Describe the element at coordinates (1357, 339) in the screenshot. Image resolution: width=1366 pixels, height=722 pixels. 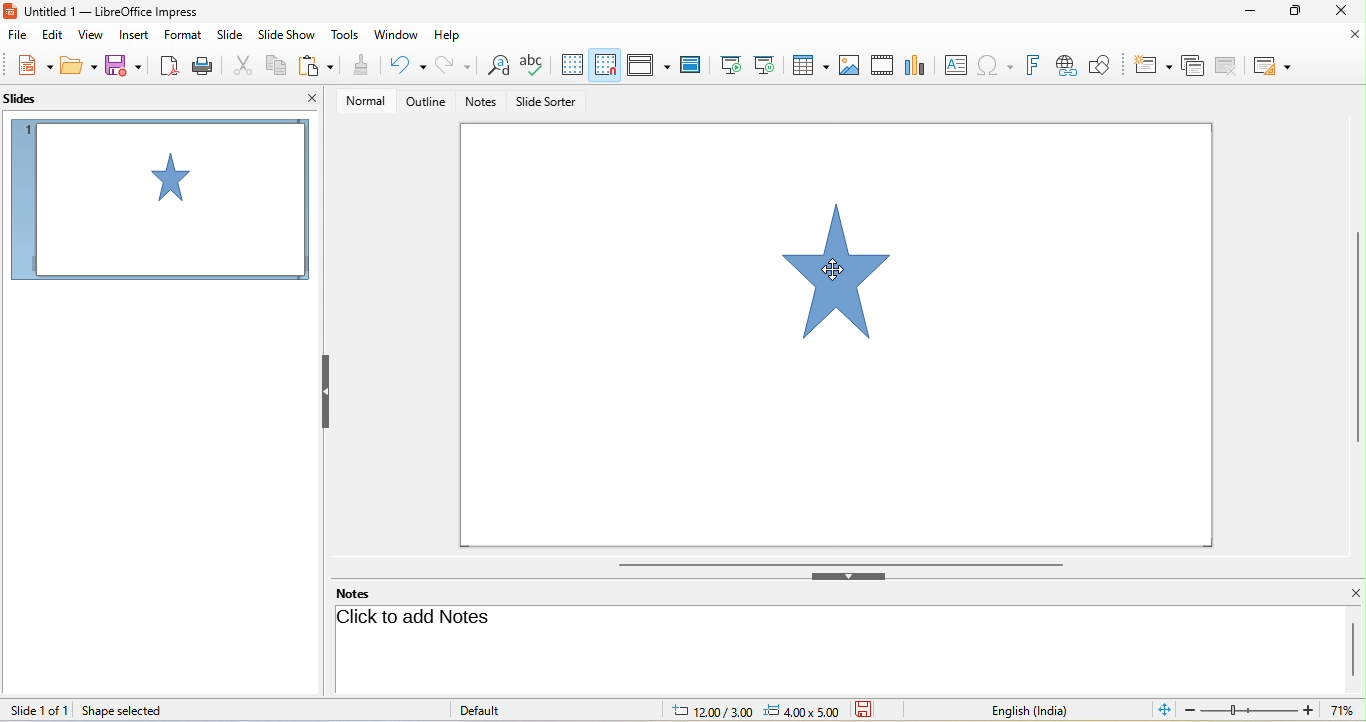
I see `vertical scroll bar` at that location.